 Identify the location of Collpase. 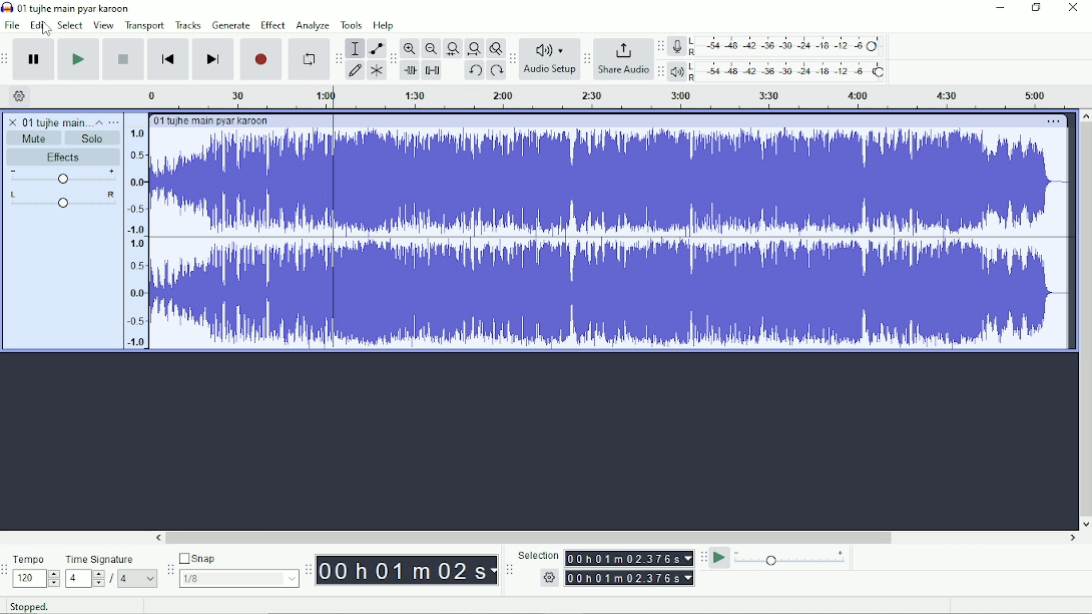
(99, 121).